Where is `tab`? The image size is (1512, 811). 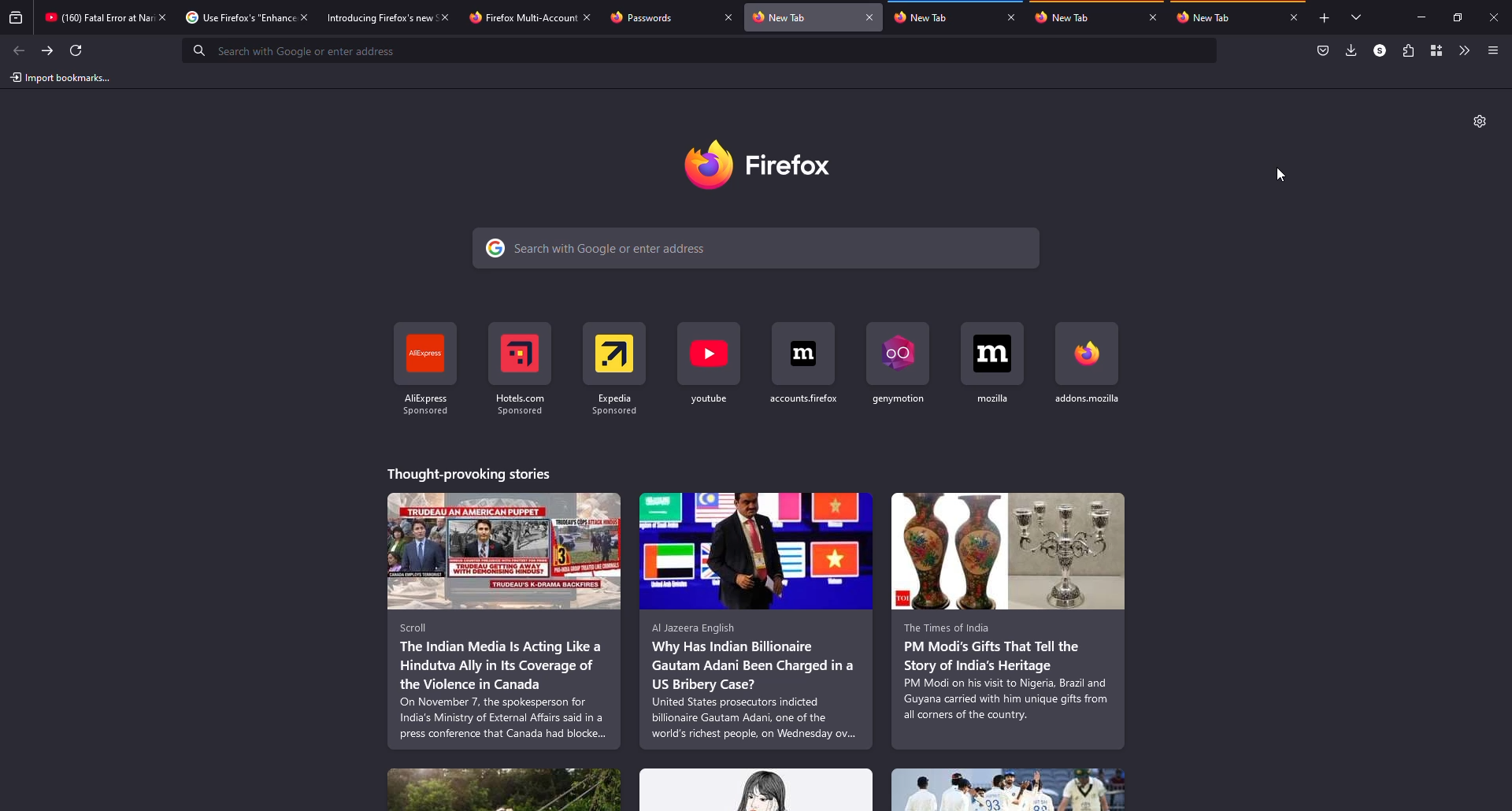 tab is located at coordinates (940, 20).